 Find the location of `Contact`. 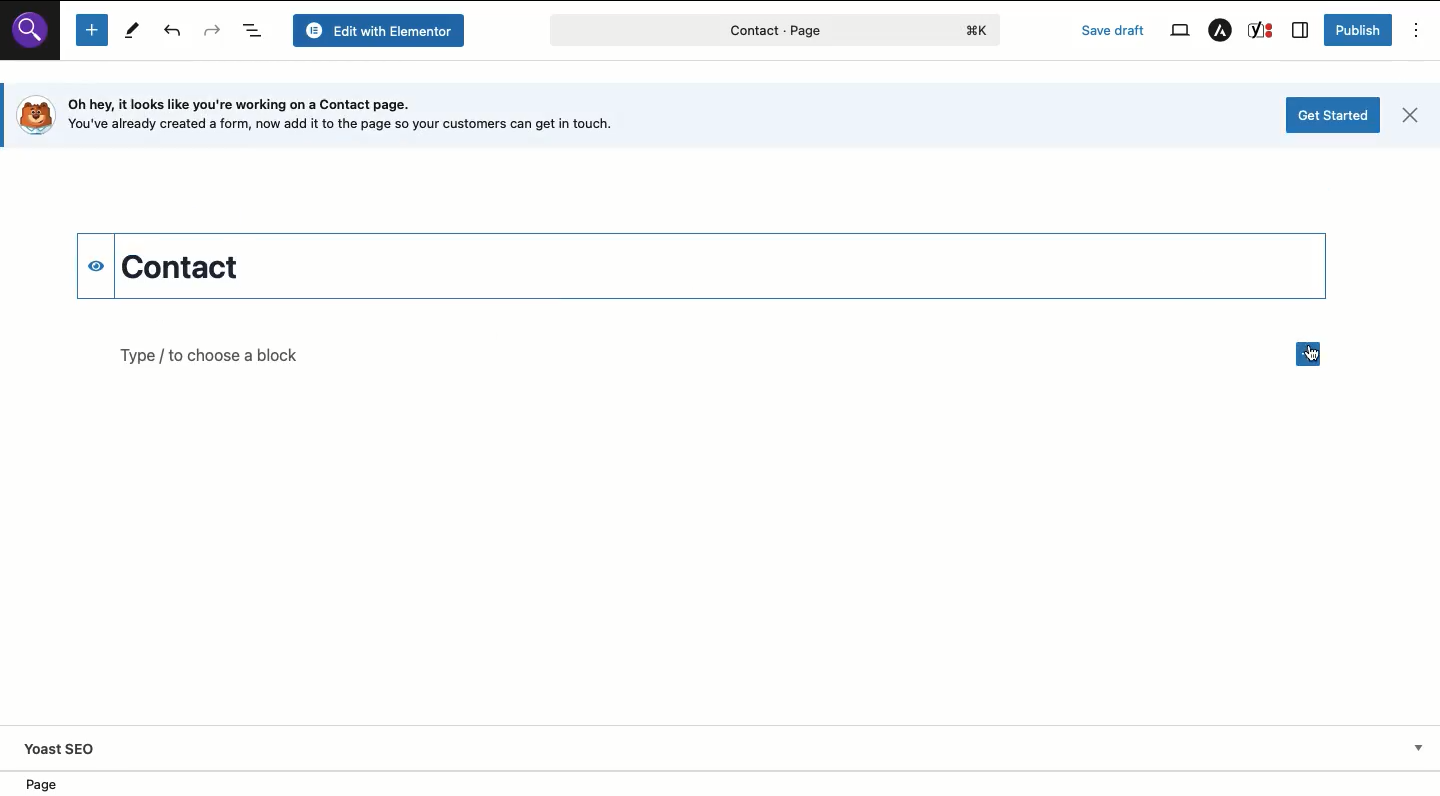

Contact is located at coordinates (269, 266).